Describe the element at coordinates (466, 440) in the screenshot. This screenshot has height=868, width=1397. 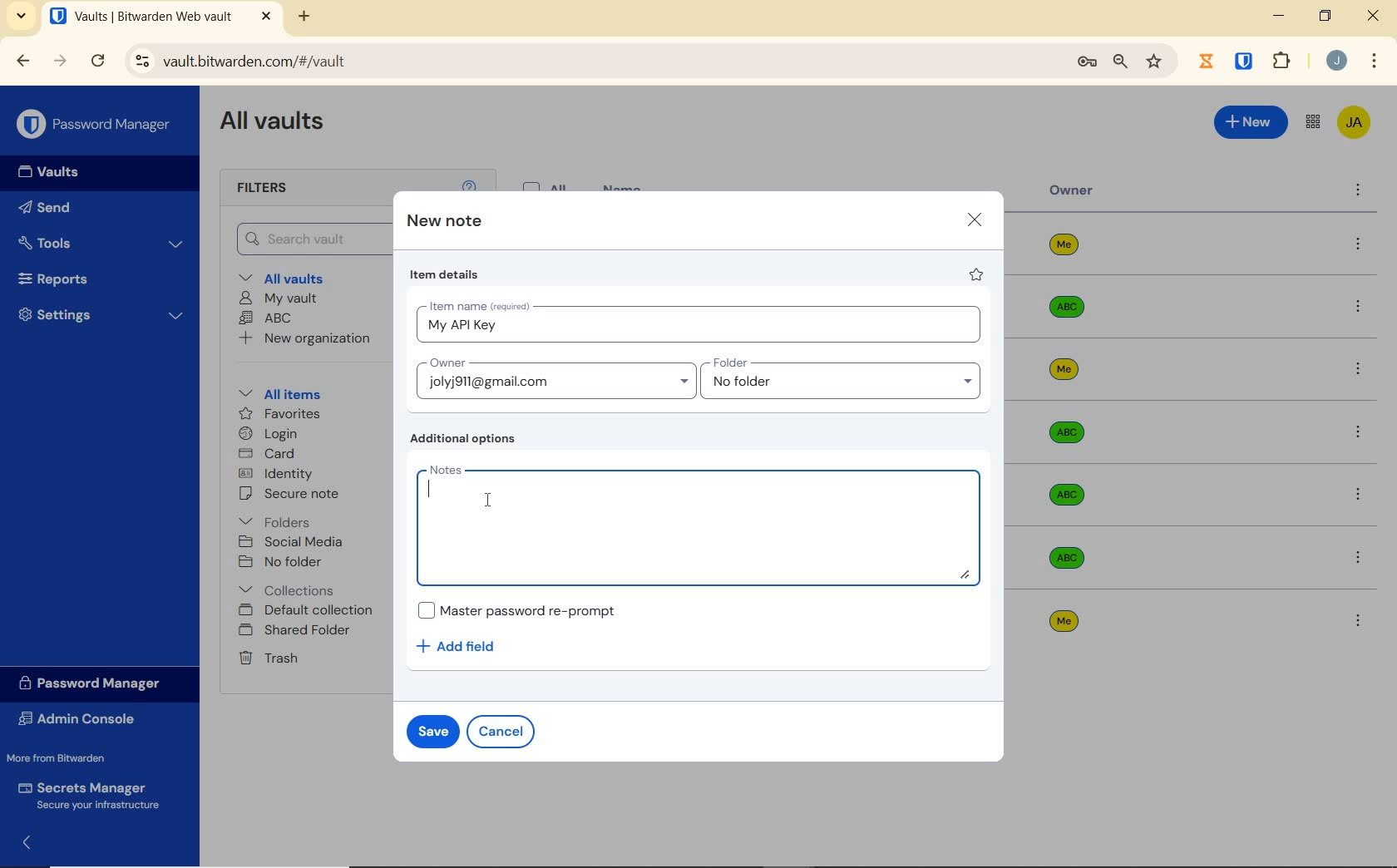
I see `Additional options` at that location.